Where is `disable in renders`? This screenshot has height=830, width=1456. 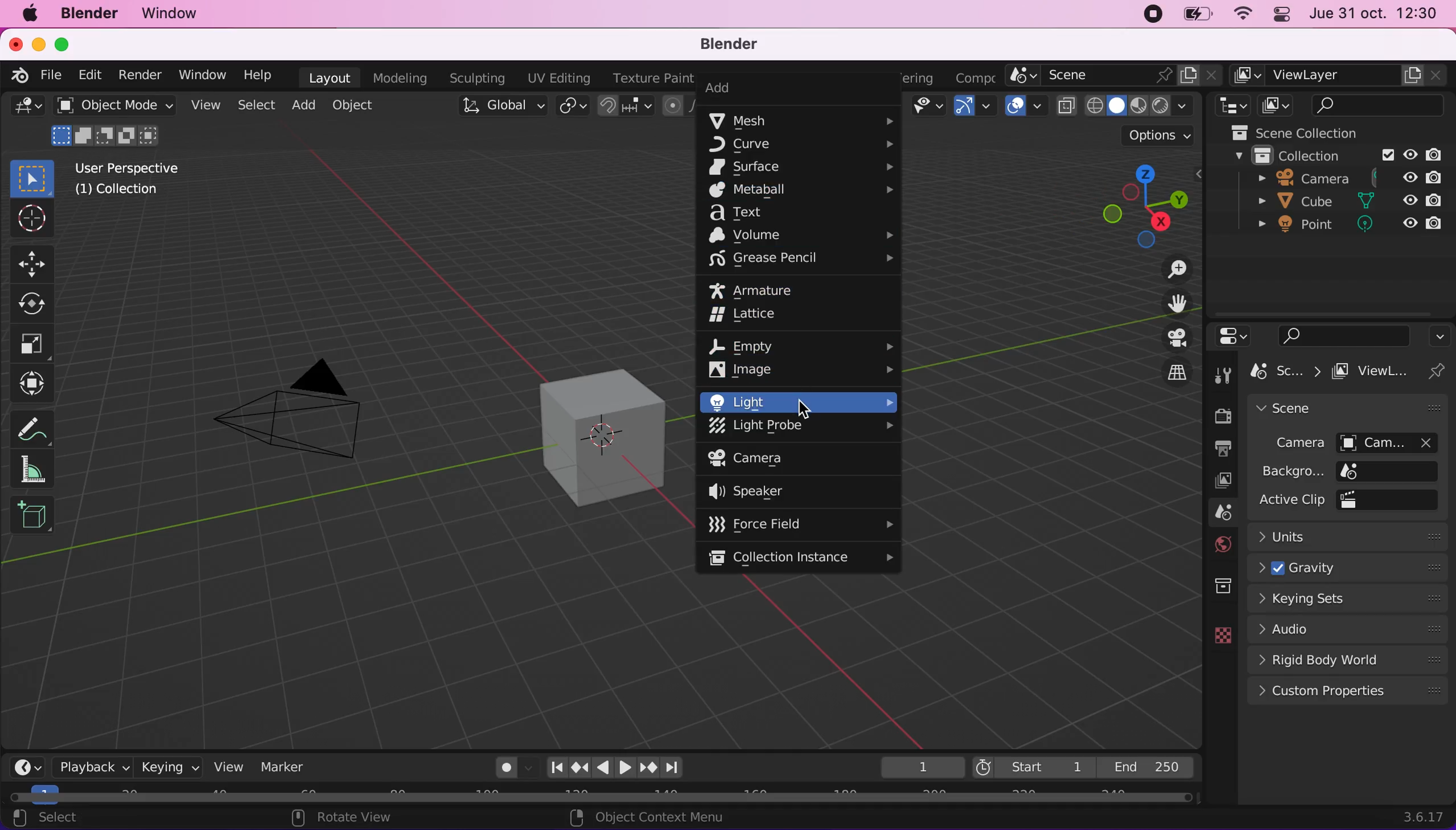
disable in renders is located at coordinates (1434, 201).